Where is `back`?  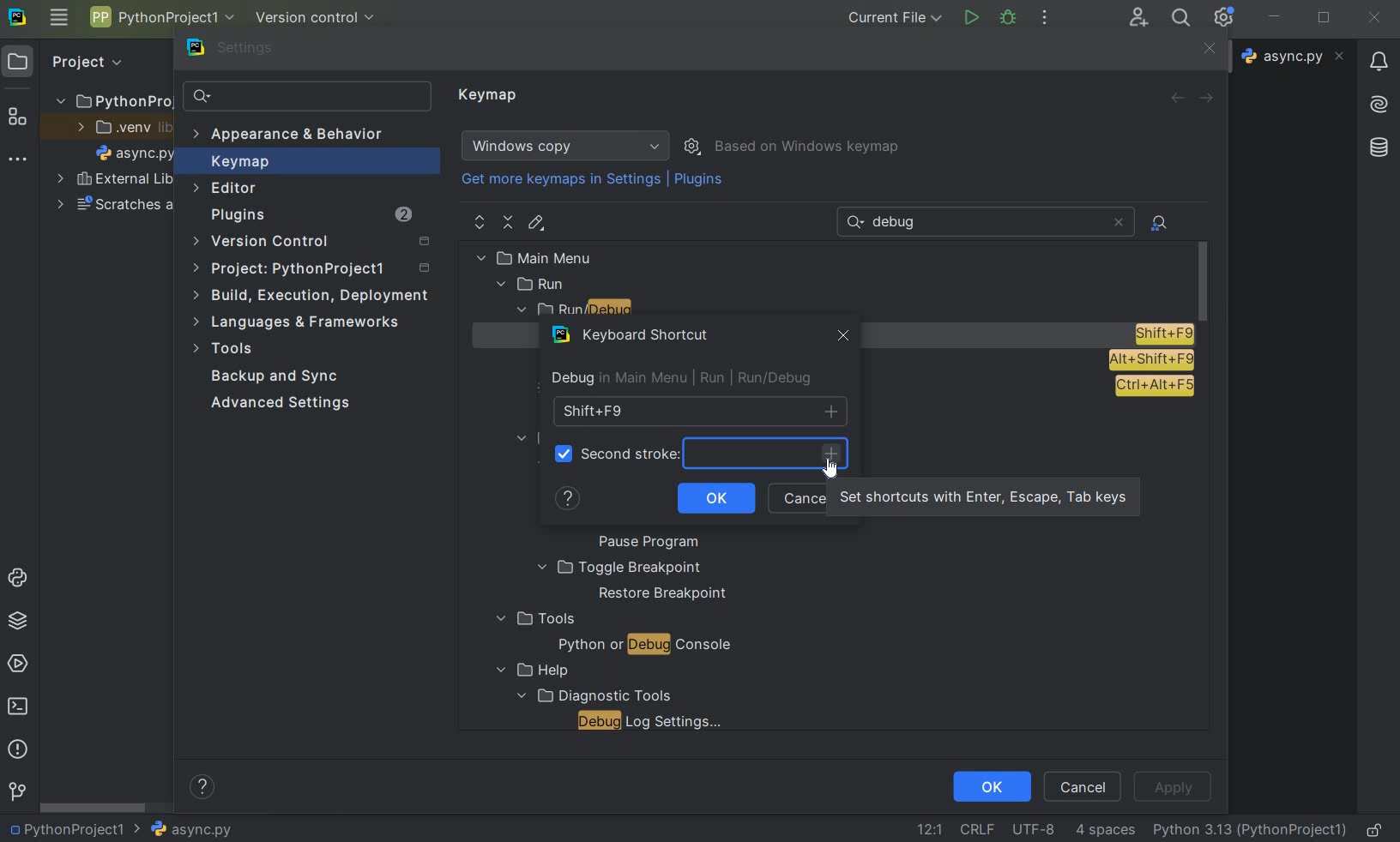
back is located at coordinates (1176, 98).